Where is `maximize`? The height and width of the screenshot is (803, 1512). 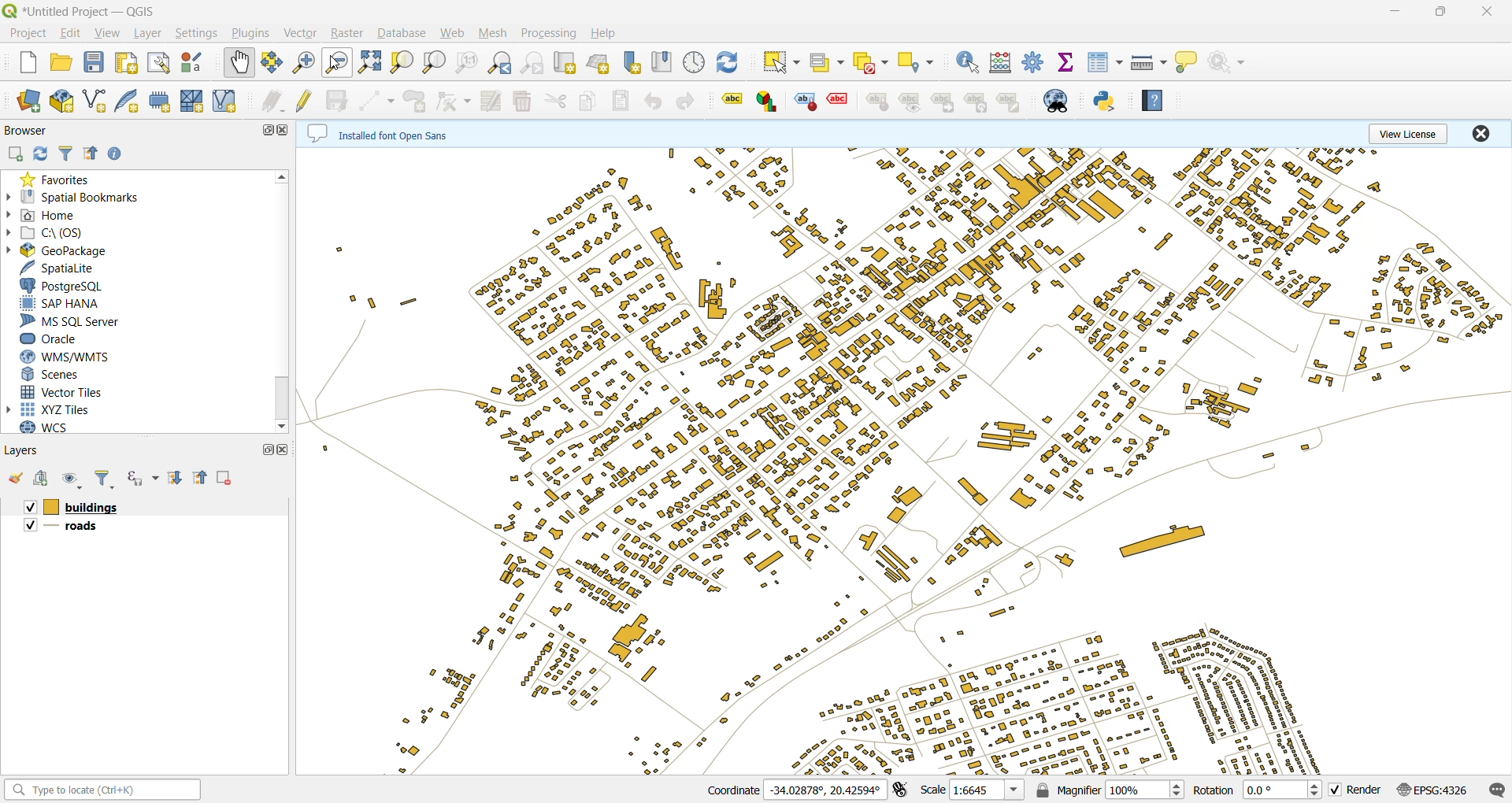 maximize is located at coordinates (262, 134).